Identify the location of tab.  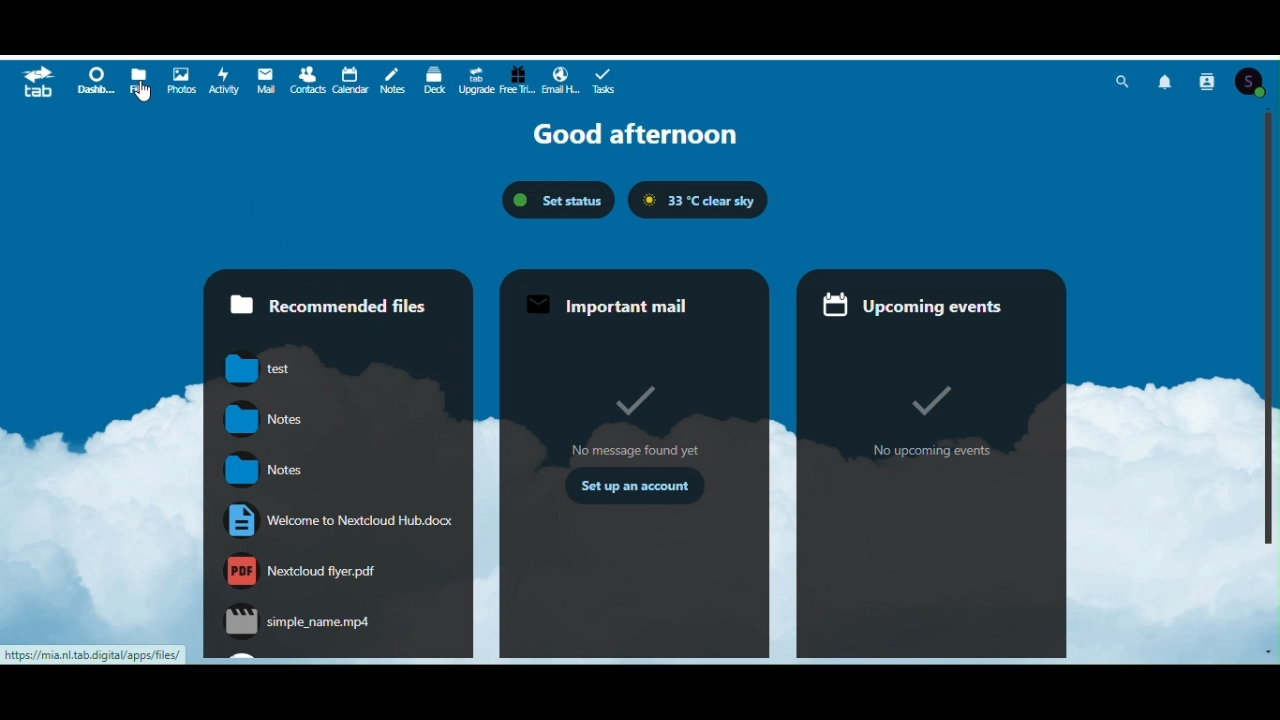
(39, 82).